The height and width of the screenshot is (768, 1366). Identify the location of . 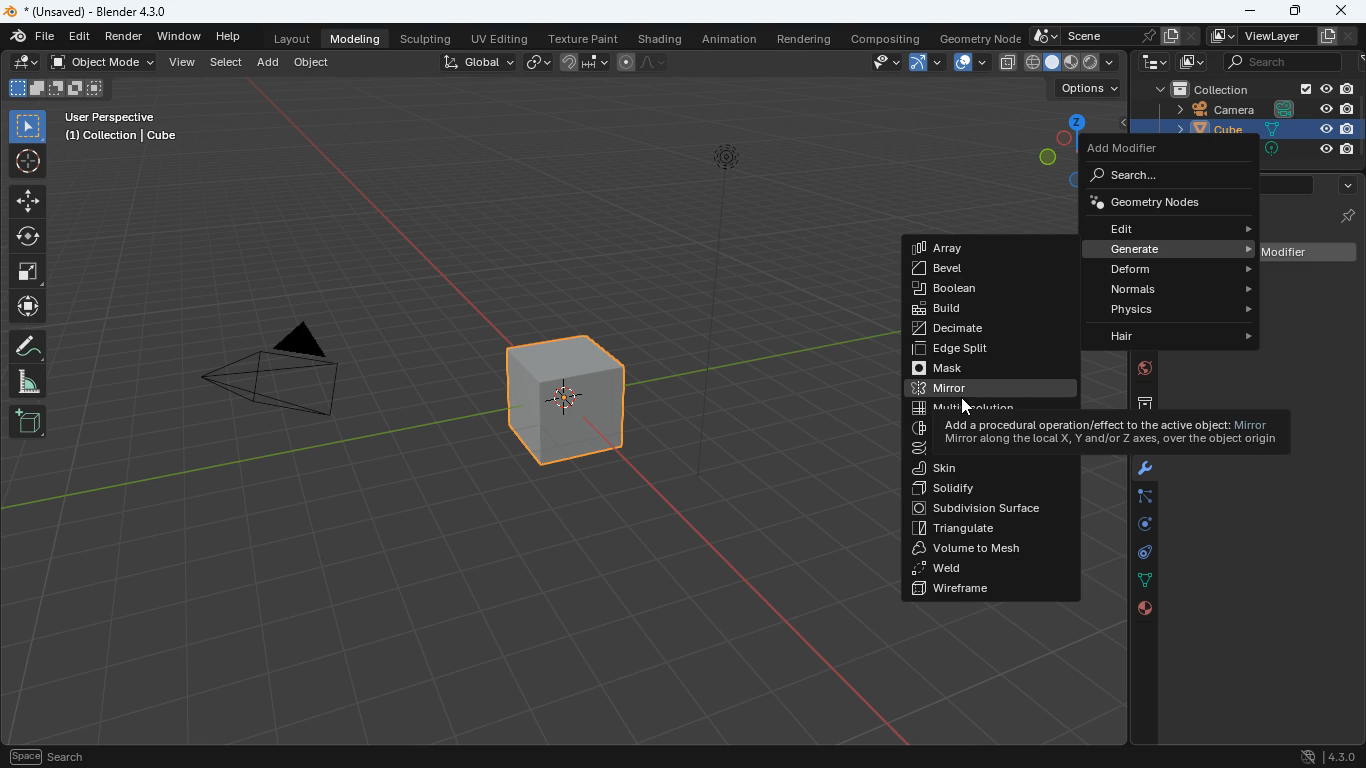
(1324, 129).